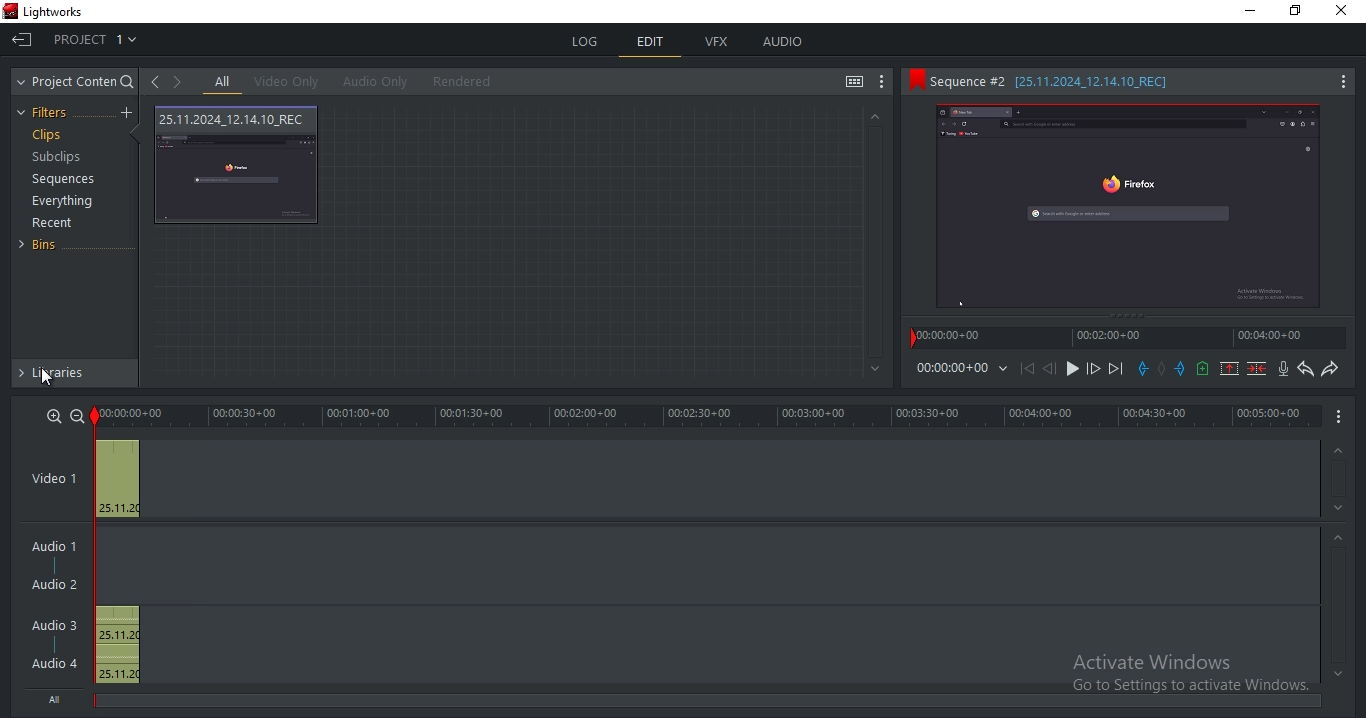  Describe the element at coordinates (155, 82) in the screenshot. I see `open previous clip` at that location.